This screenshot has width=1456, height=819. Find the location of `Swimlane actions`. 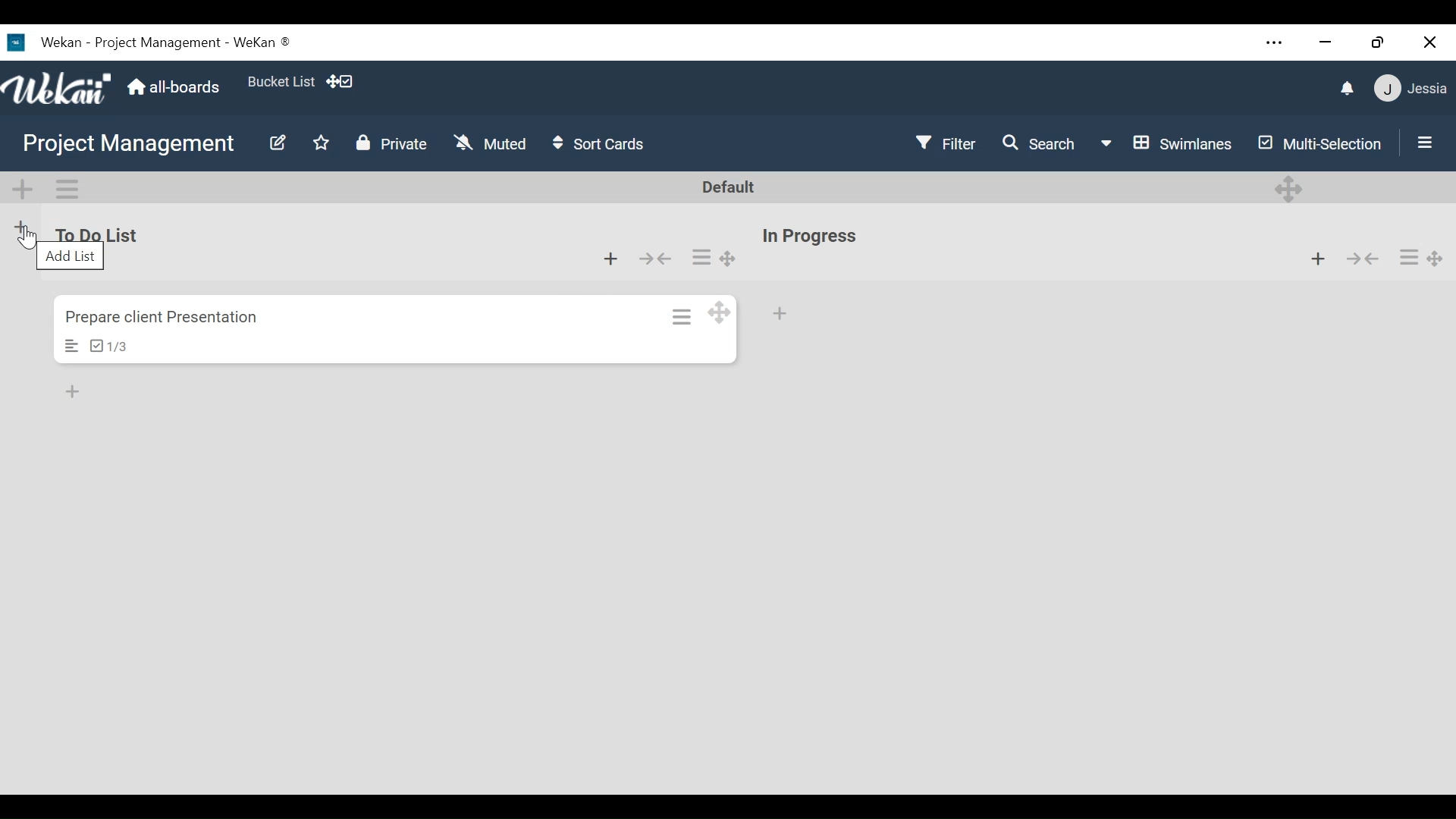

Swimlane actions is located at coordinates (65, 190).